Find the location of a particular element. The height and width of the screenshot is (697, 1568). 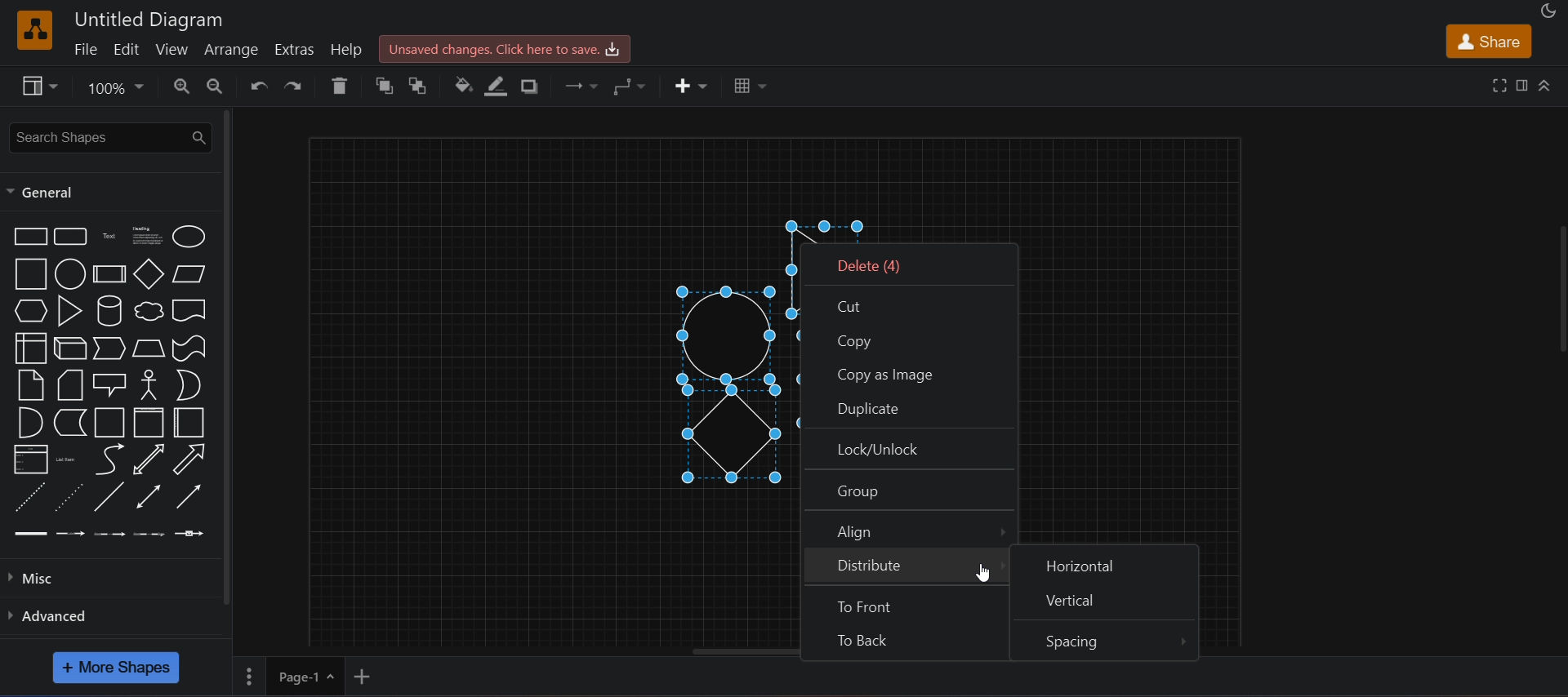

cube is located at coordinates (68, 348).